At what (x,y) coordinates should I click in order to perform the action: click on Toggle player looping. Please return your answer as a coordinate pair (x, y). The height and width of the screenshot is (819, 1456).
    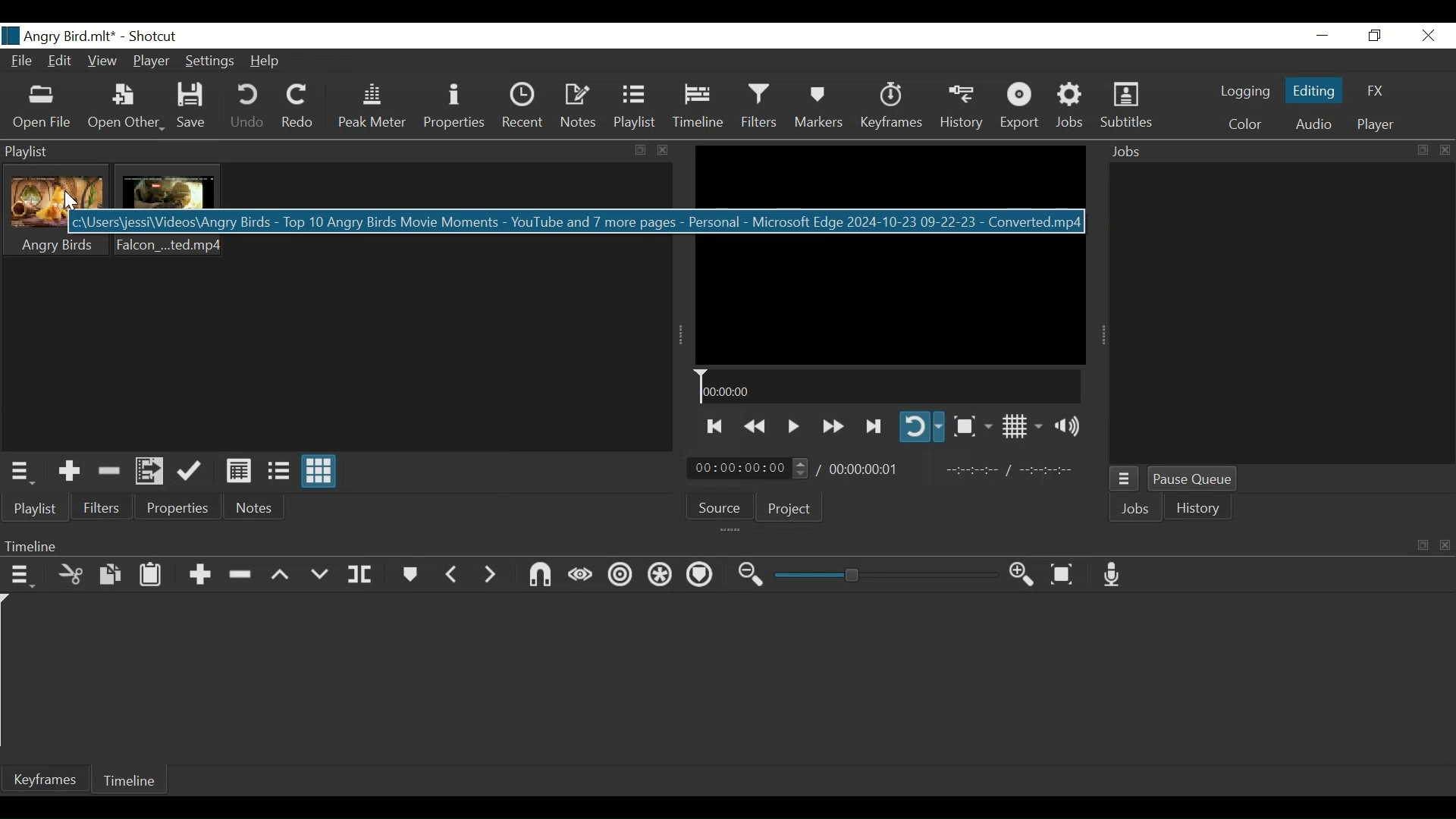
    Looking at the image, I should click on (921, 428).